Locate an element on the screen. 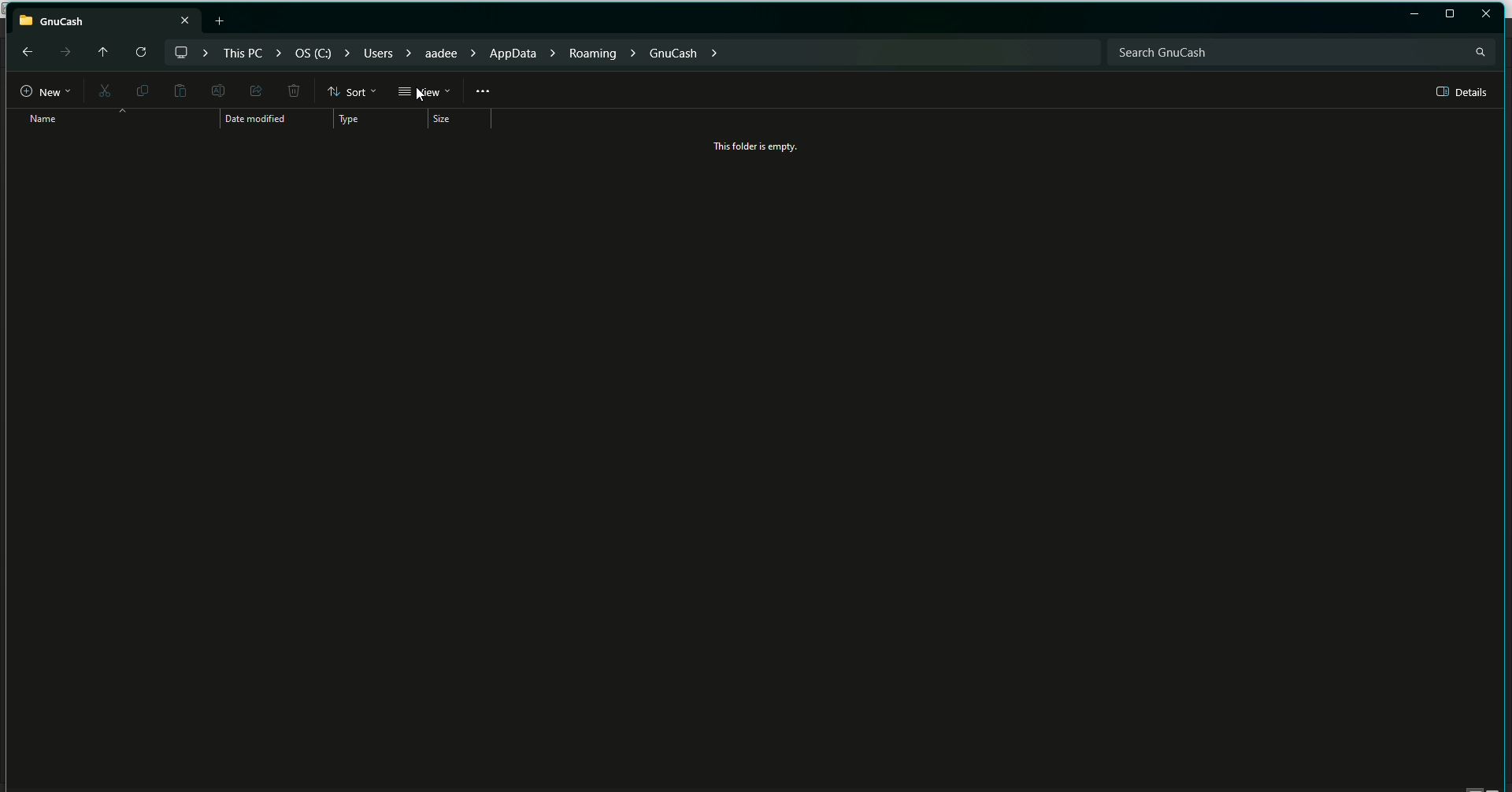  Move up is located at coordinates (99, 50).